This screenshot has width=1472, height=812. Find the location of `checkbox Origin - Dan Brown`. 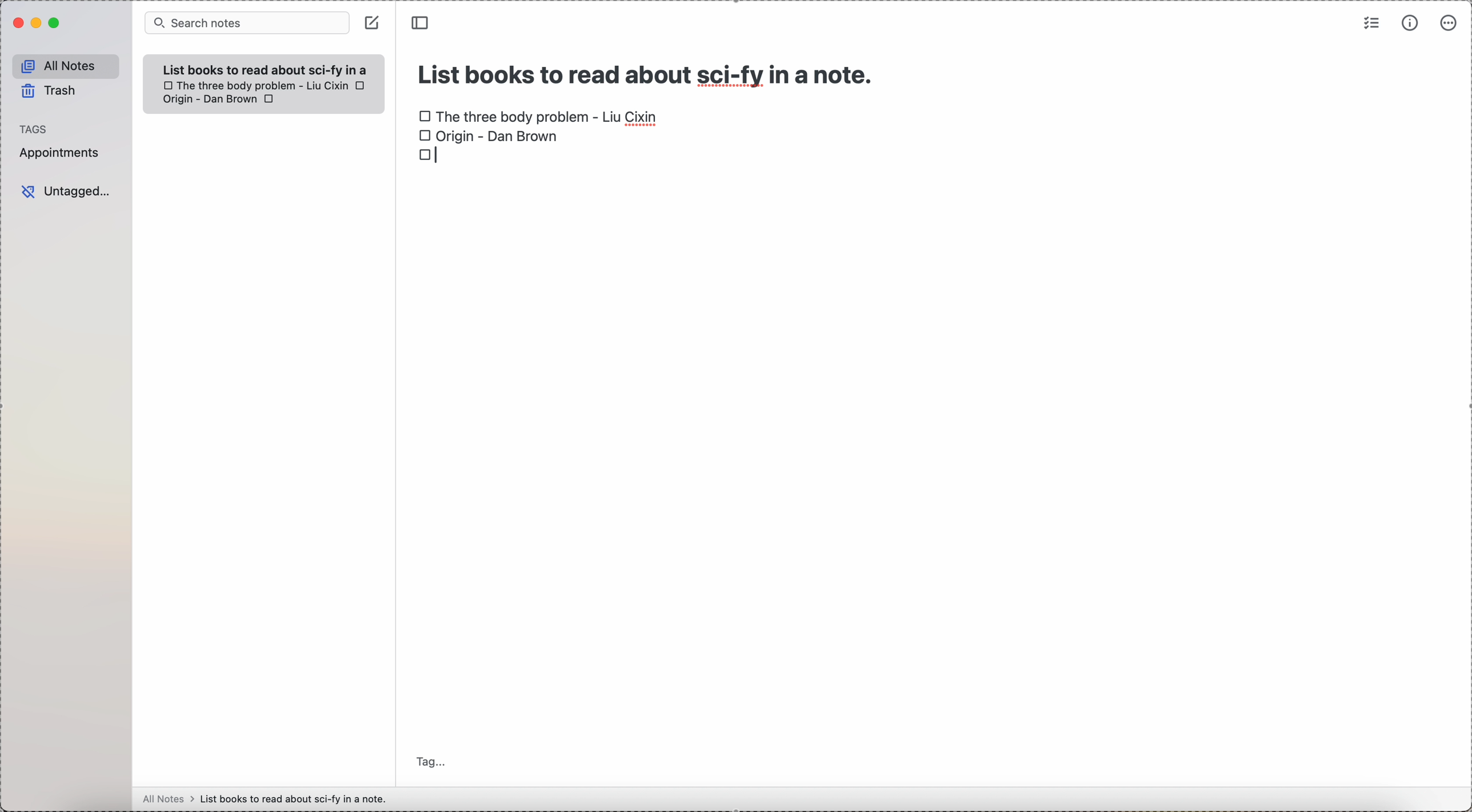

checkbox Origin - Dan Brown is located at coordinates (487, 135).